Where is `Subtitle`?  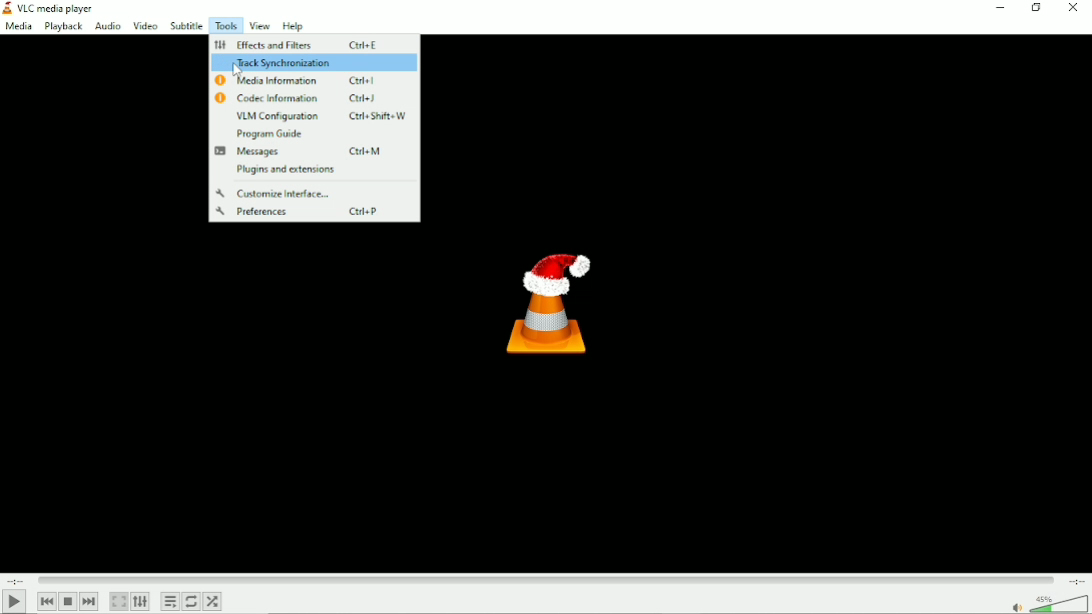 Subtitle is located at coordinates (185, 26).